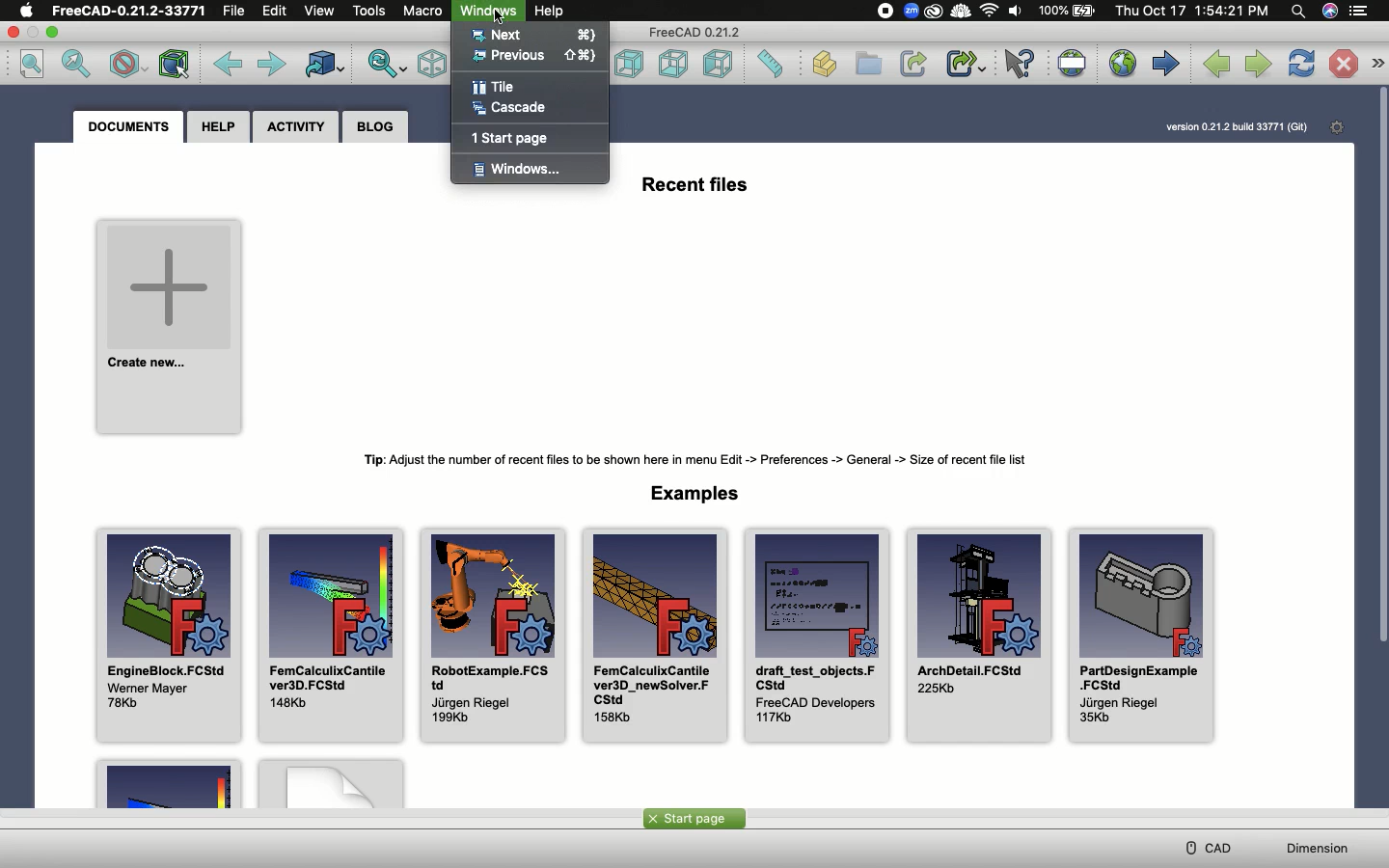 This screenshot has height=868, width=1389. I want to click on Create new, so click(170, 326).